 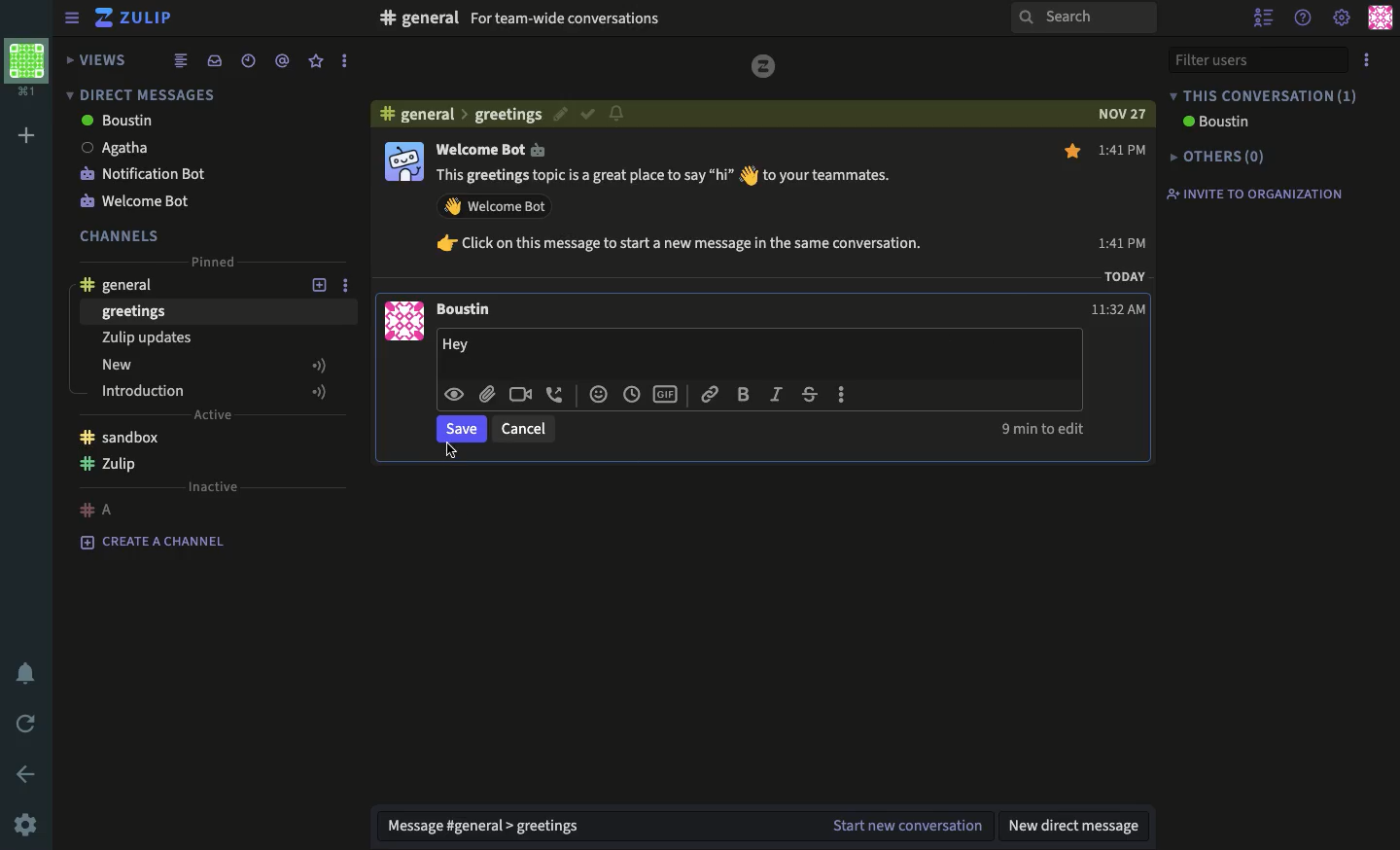 What do you see at coordinates (1218, 123) in the screenshot?
I see `boustin` at bounding box center [1218, 123].